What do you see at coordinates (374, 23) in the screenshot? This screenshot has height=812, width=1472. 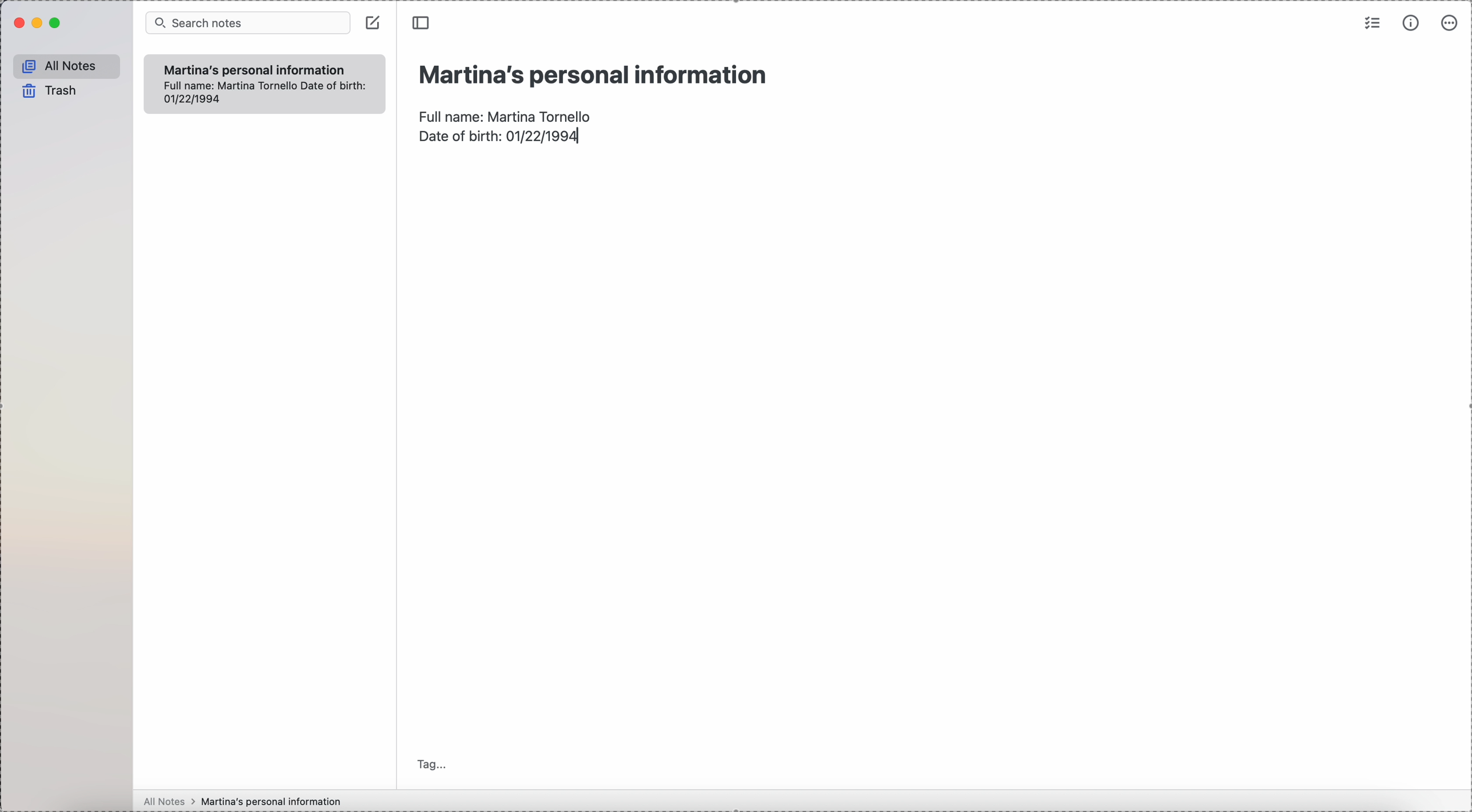 I see `create note` at bounding box center [374, 23].